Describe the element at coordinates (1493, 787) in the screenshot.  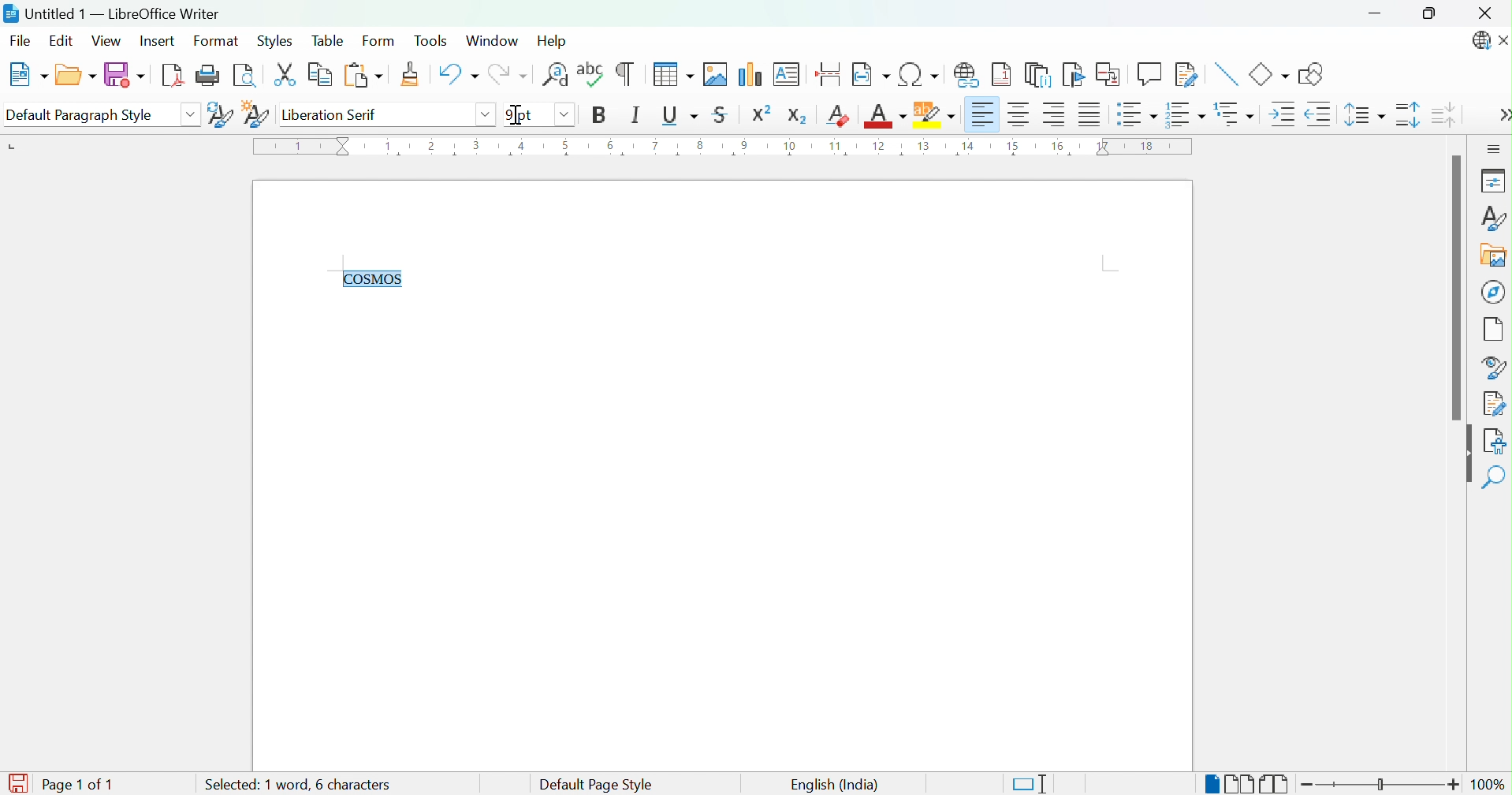
I see `100%` at that location.